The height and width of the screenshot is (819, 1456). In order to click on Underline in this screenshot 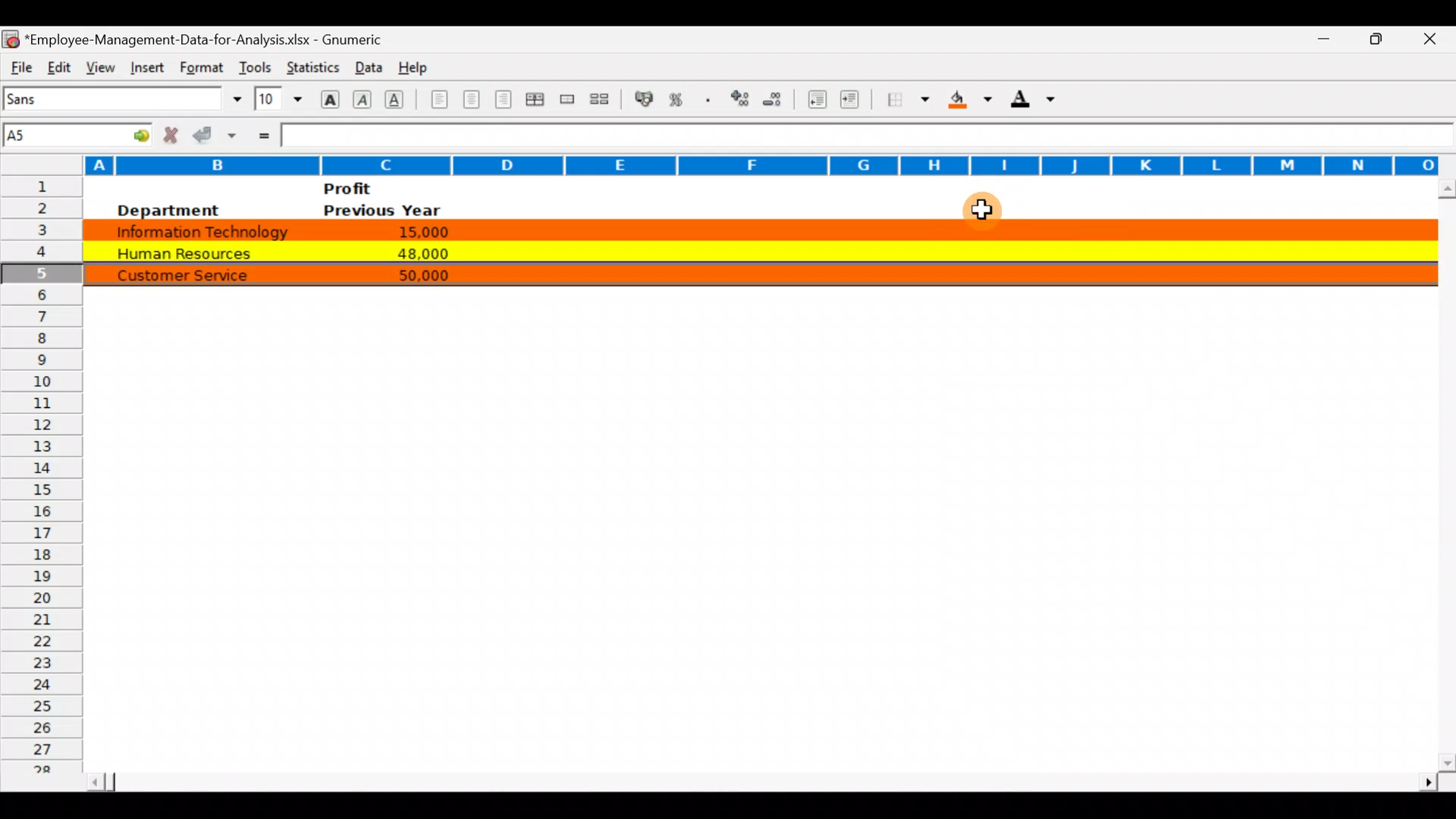, I will do `click(399, 99)`.